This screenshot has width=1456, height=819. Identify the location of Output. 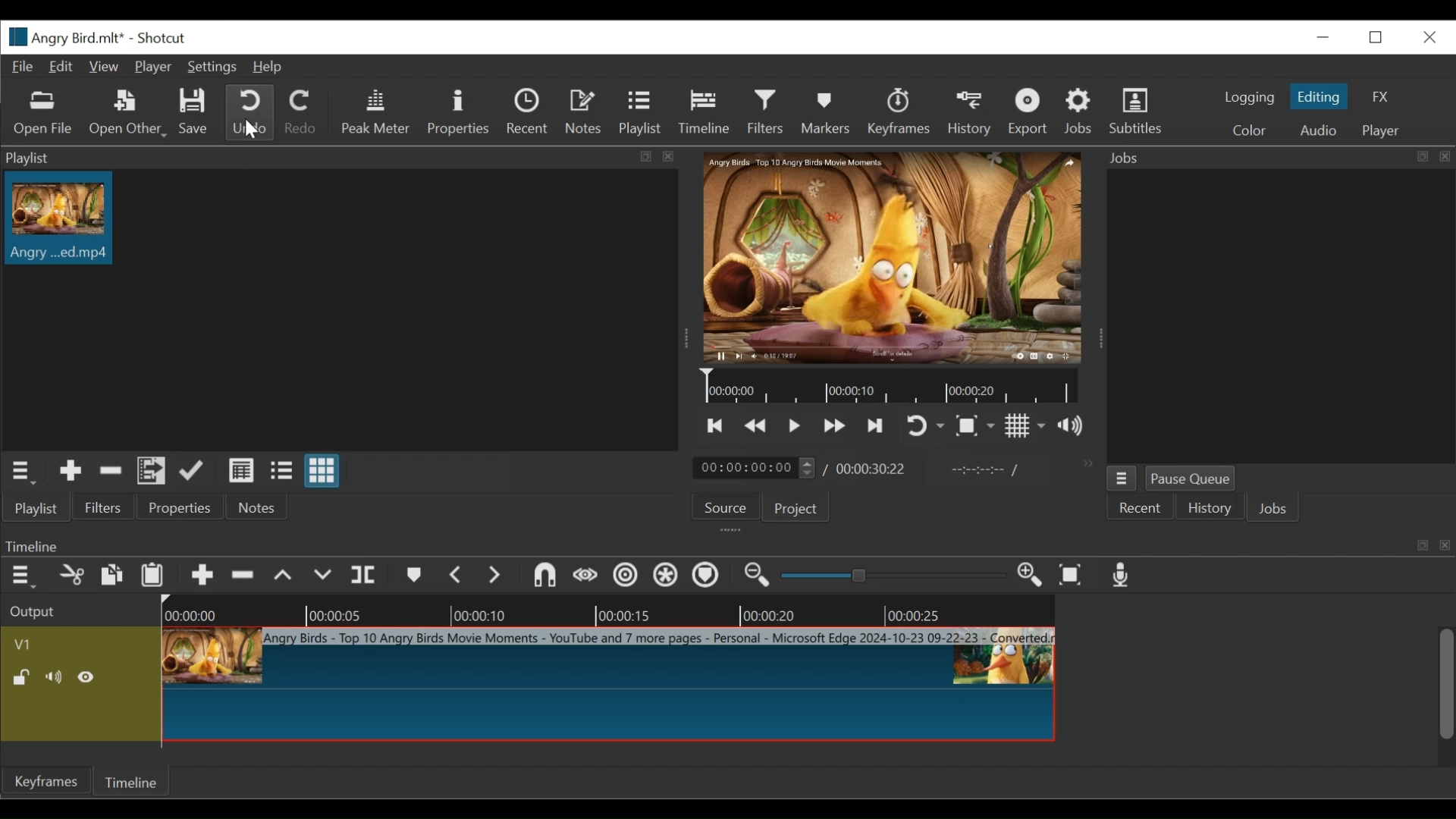
(42, 613).